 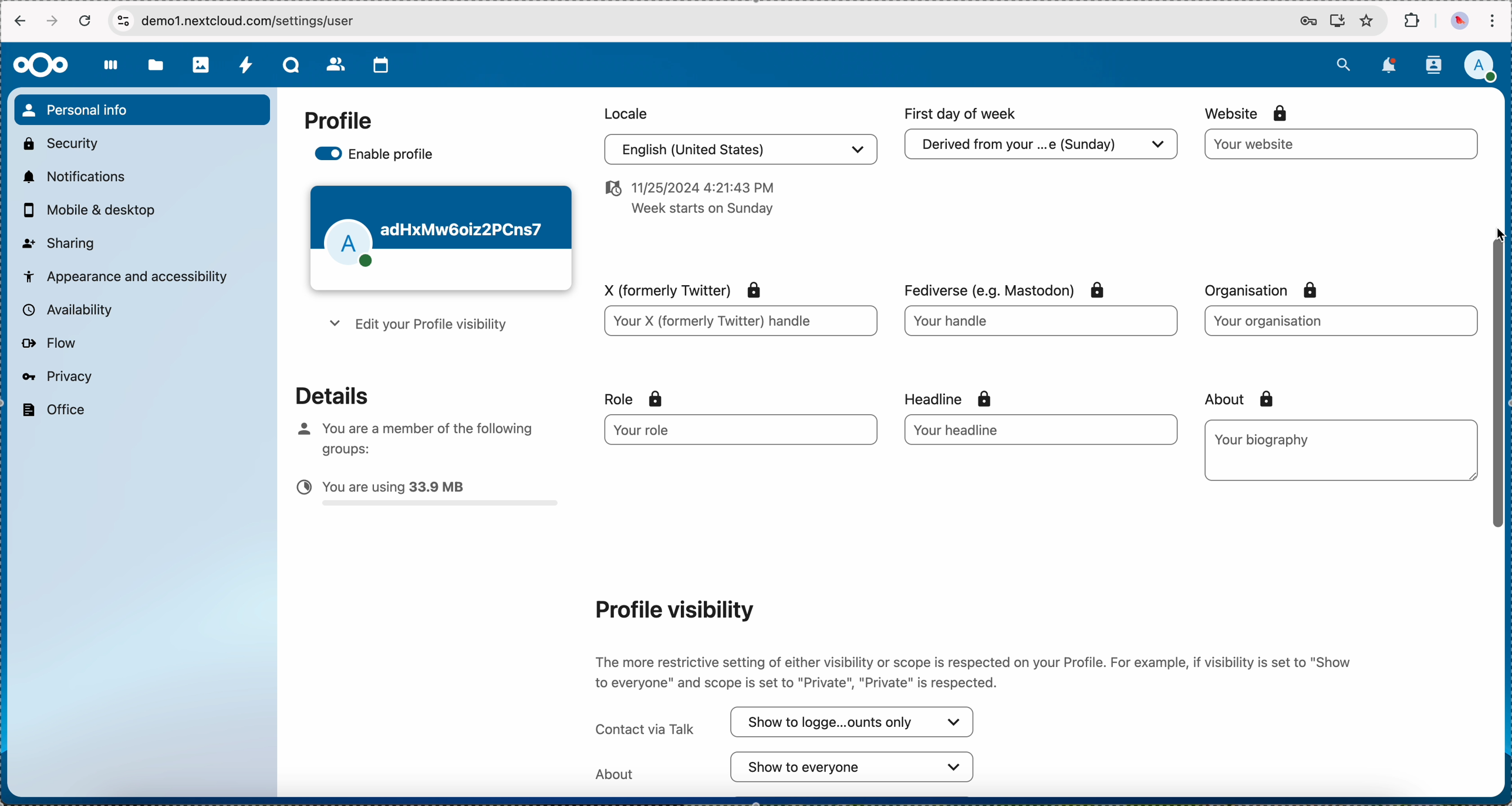 What do you see at coordinates (52, 410) in the screenshot?
I see `office` at bounding box center [52, 410].